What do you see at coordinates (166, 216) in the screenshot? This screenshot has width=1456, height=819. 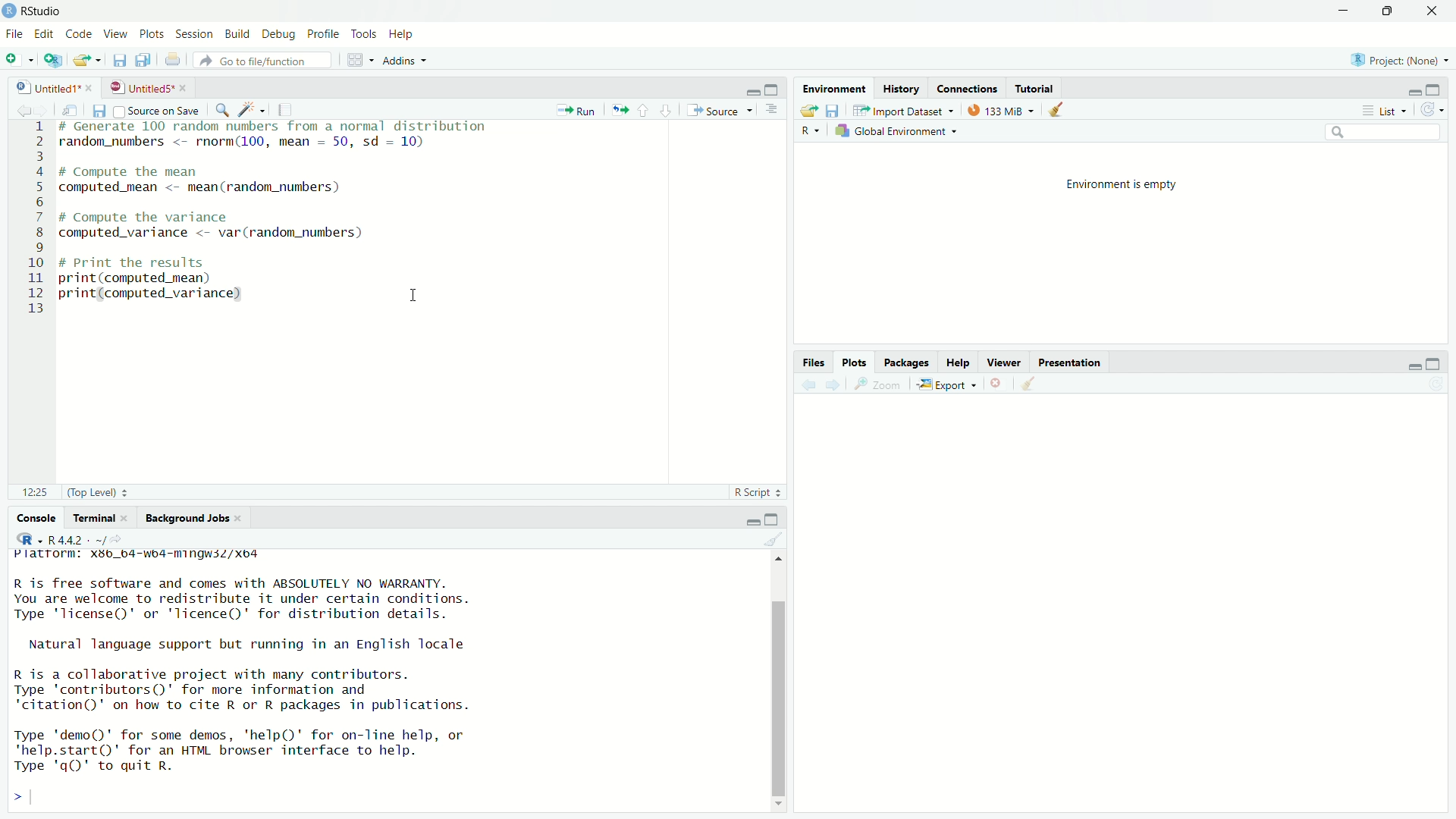 I see `# Compute the variance` at bounding box center [166, 216].